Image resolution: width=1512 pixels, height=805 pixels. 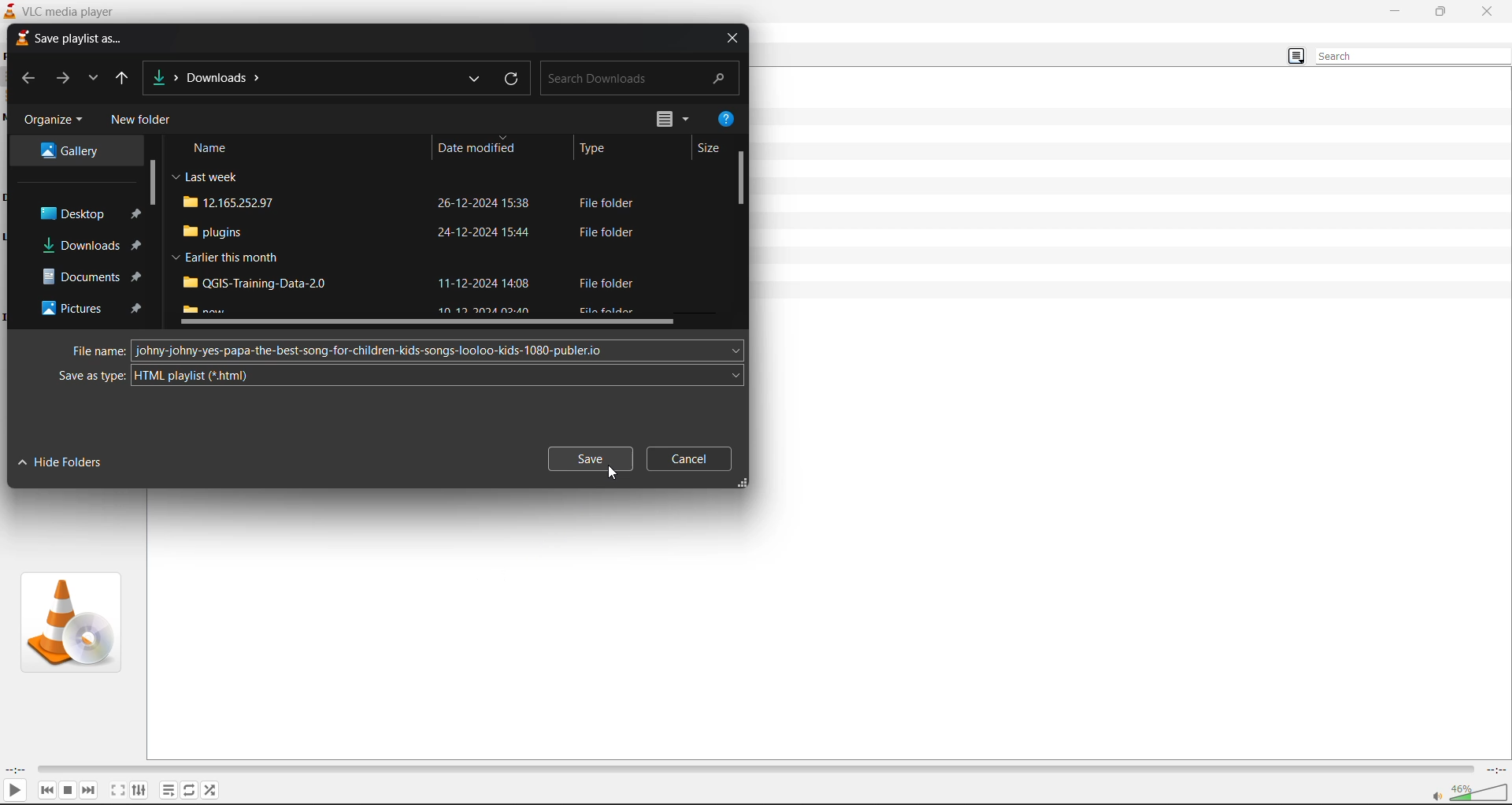 What do you see at coordinates (438, 256) in the screenshot?
I see `file name , date modified and type` at bounding box center [438, 256].